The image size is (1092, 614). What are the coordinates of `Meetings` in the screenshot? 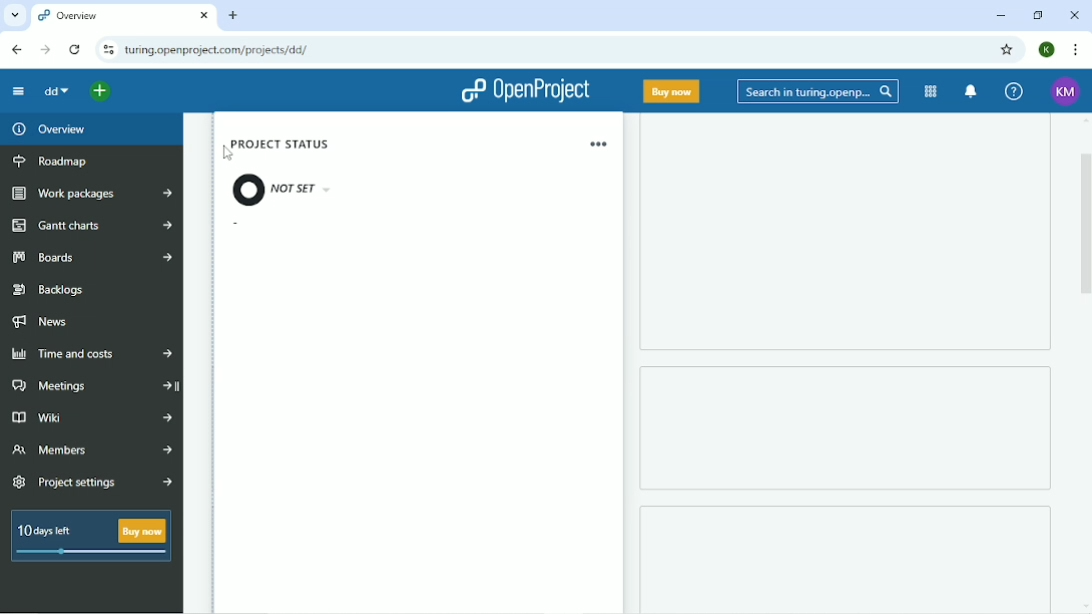 It's located at (91, 387).